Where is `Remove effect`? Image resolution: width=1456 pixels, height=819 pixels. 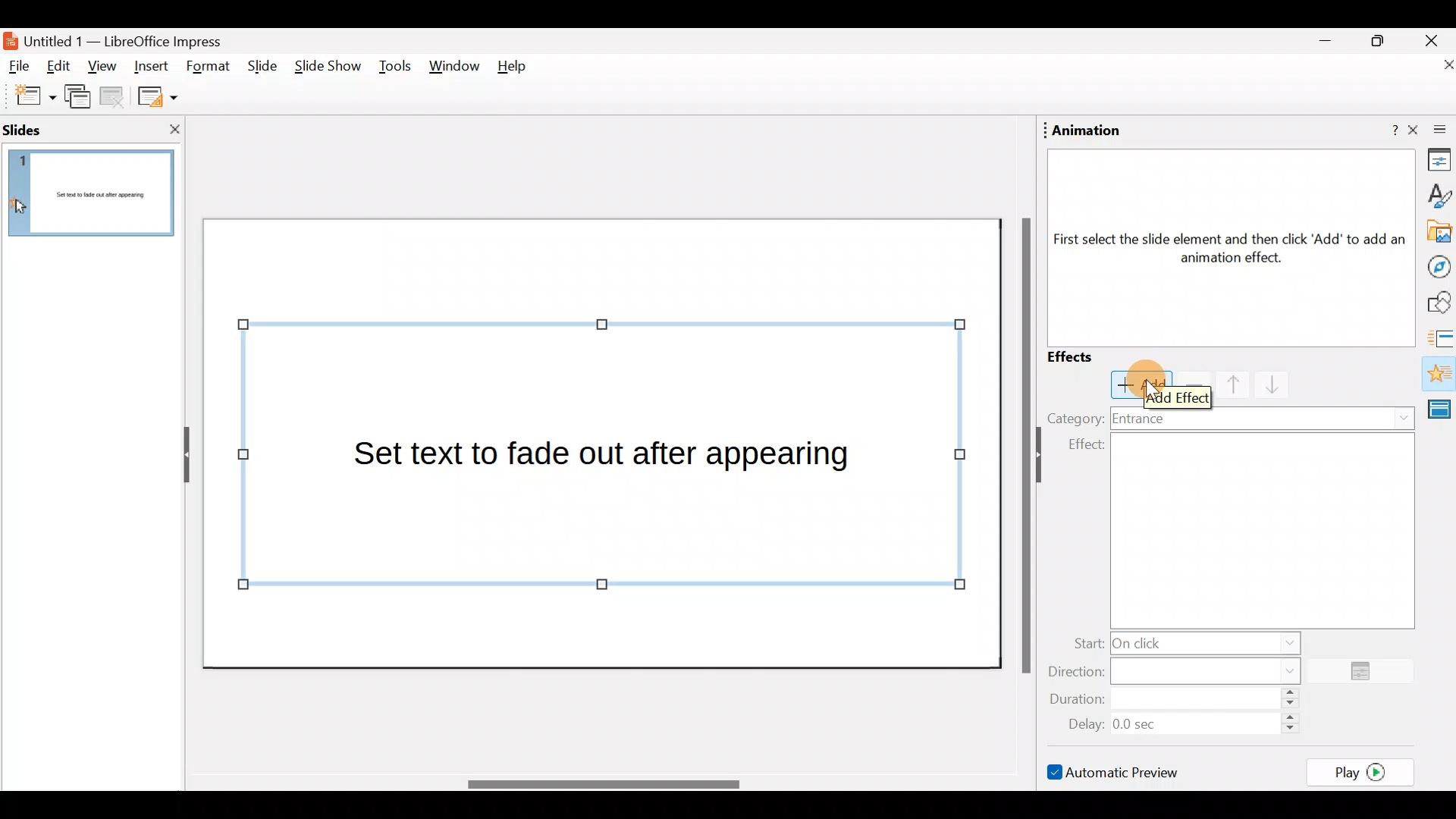
Remove effect is located at coordinates (1191, 384).